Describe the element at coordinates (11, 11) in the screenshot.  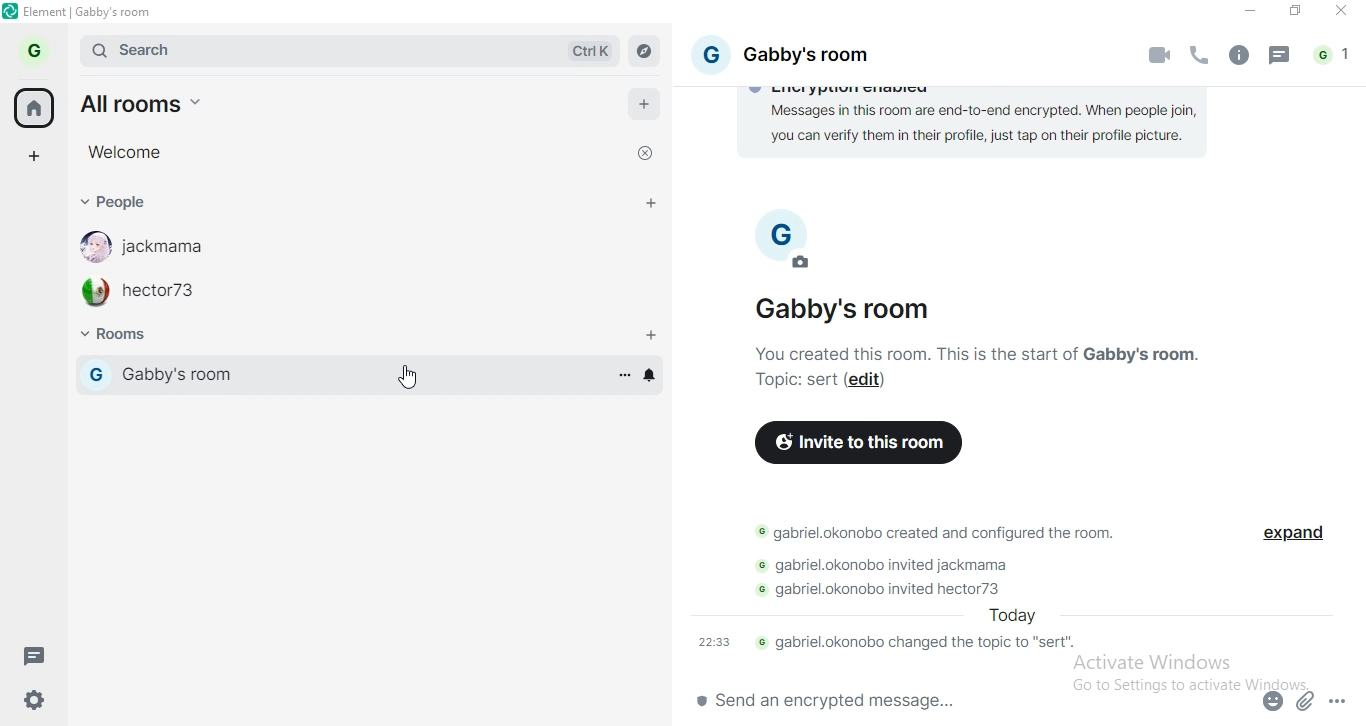
I see `element logo` at that location.